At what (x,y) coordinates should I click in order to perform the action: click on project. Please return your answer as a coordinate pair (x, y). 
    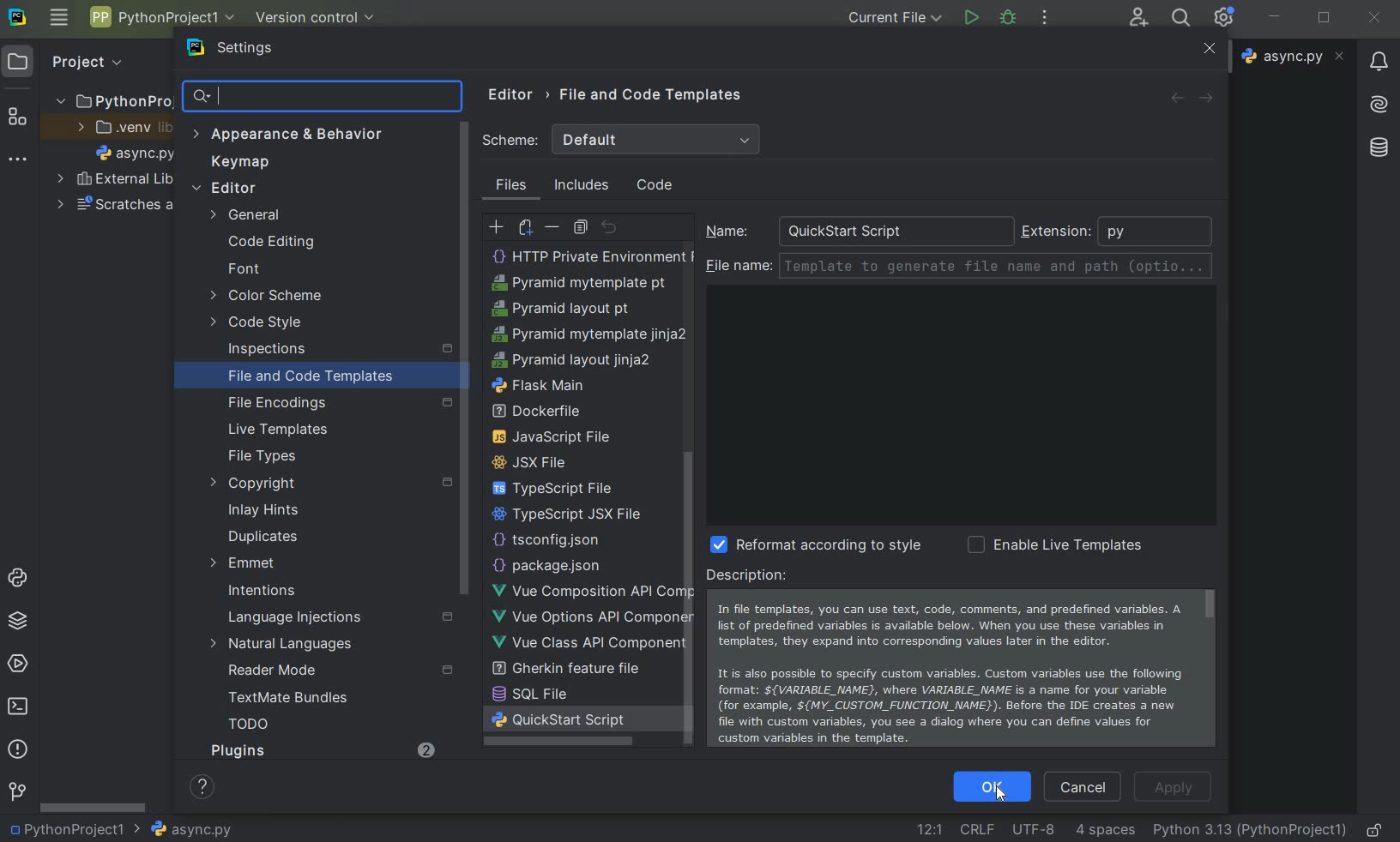
    Looking at the image, I should click on (68, 61).